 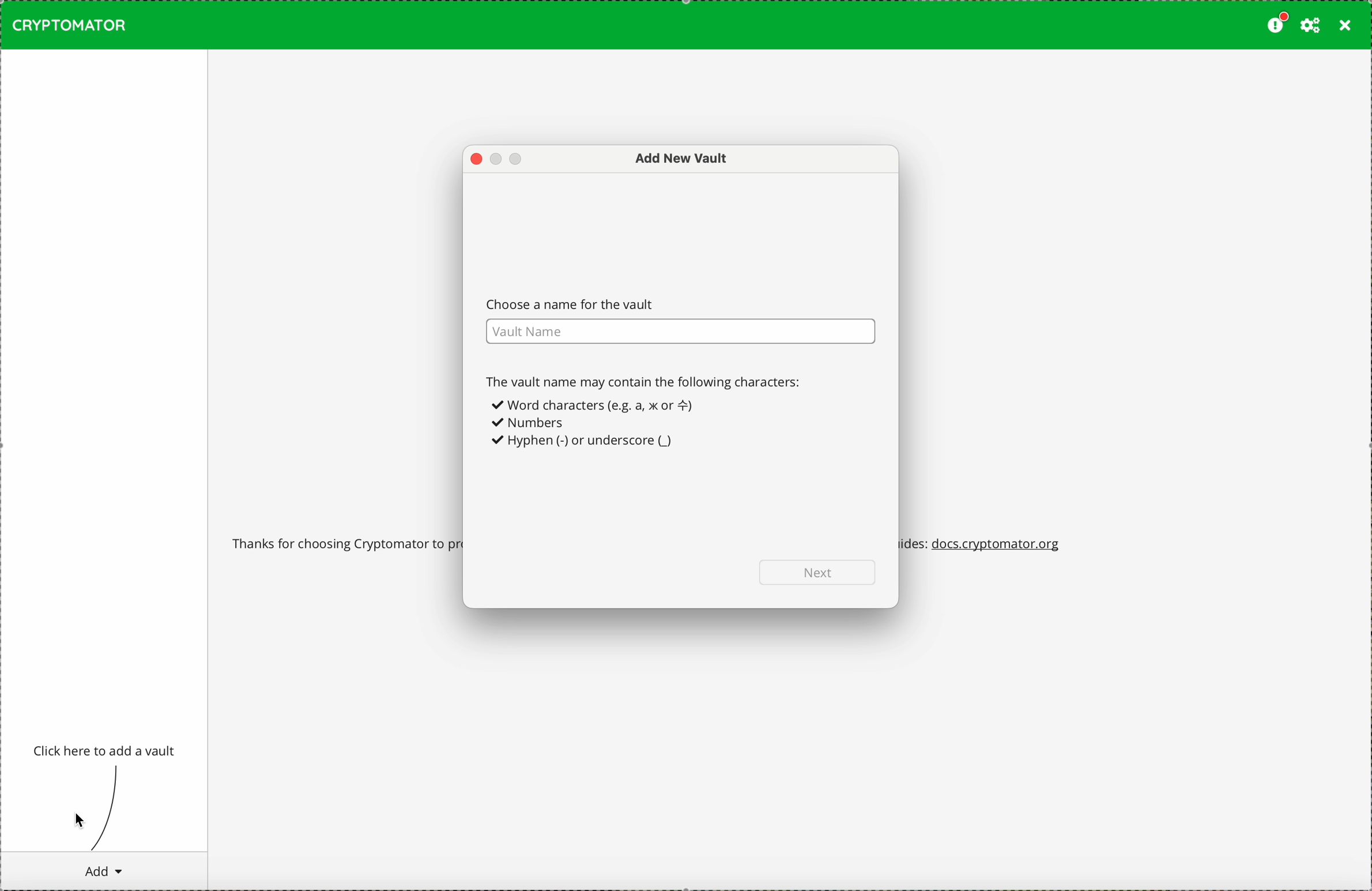 I want to click on preferences, so click(x=1310, y=25).